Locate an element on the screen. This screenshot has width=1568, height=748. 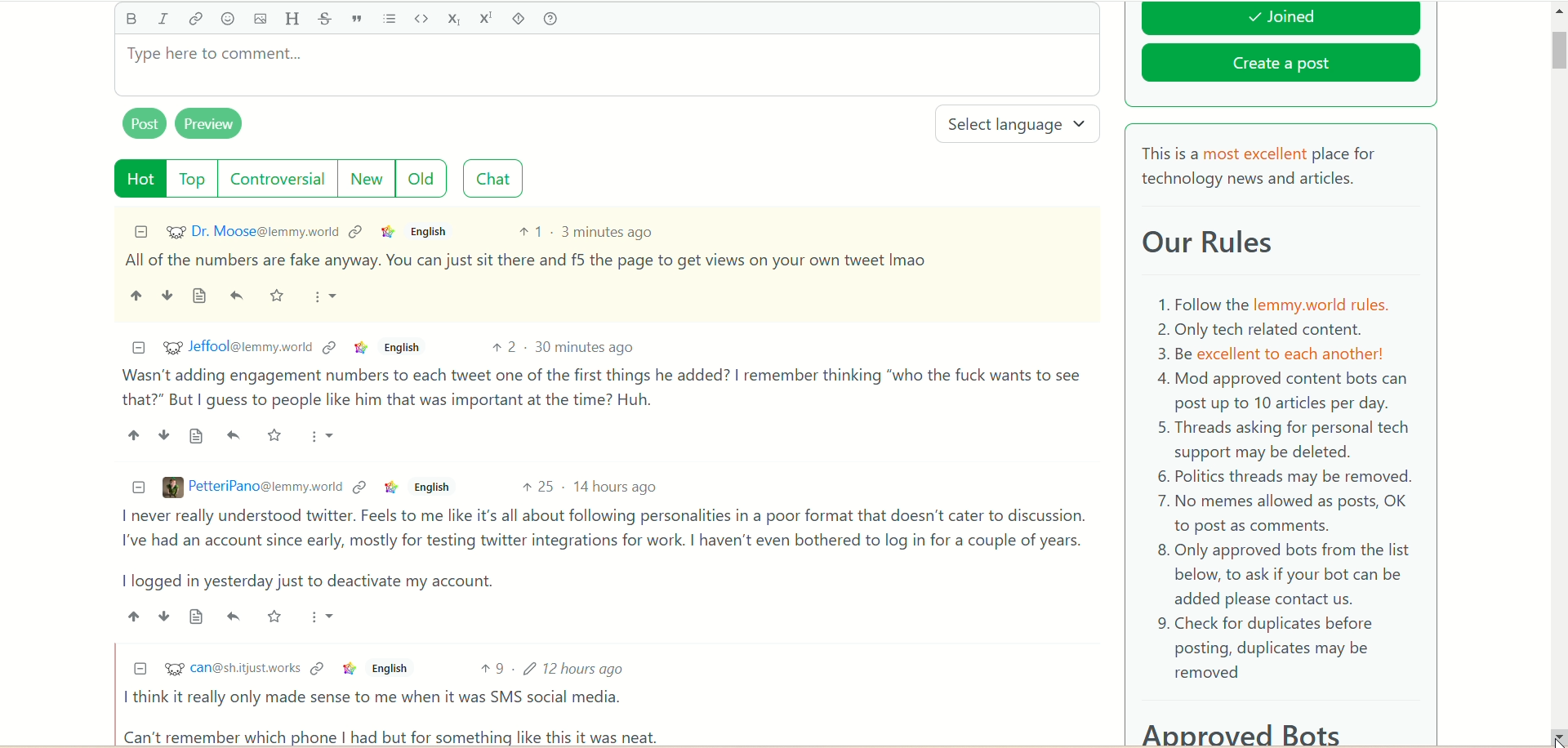
hot is located at coordinates (141, 179).